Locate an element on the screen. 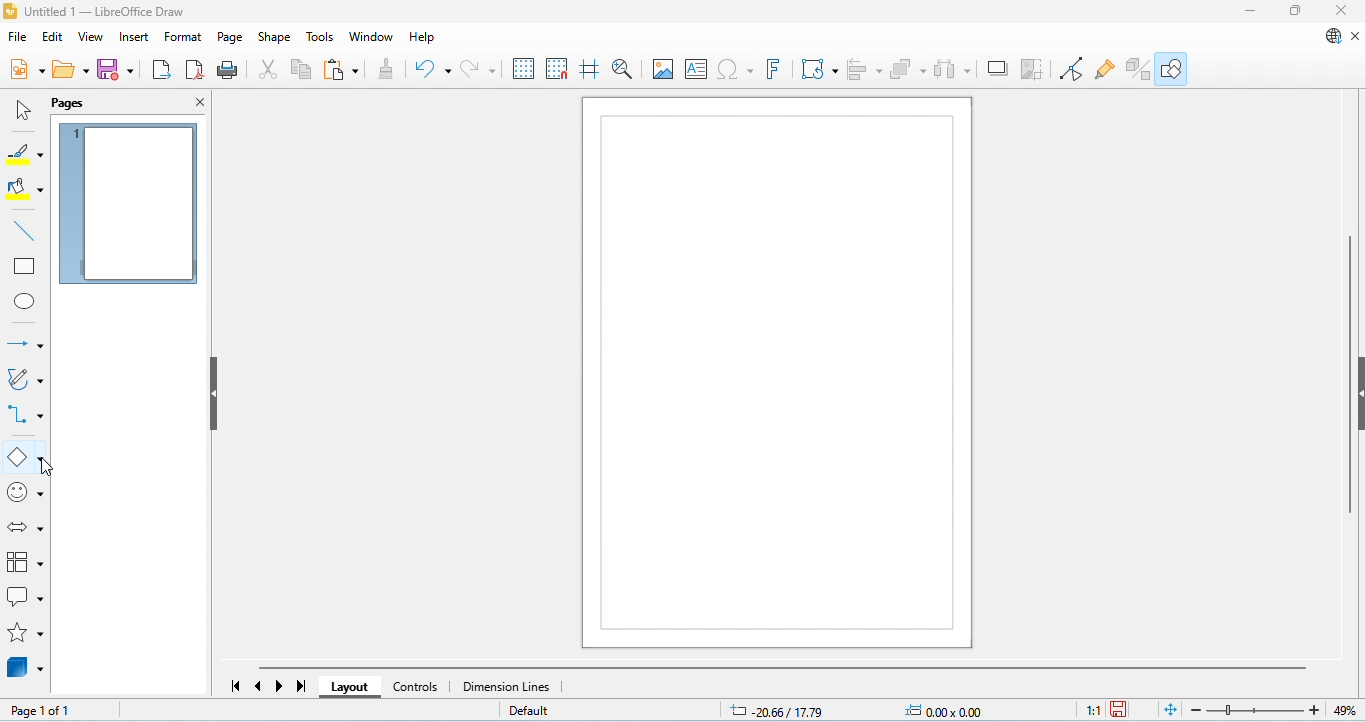 This screenshot has width=1366, height=722. file is located at coordinates (18, 36).